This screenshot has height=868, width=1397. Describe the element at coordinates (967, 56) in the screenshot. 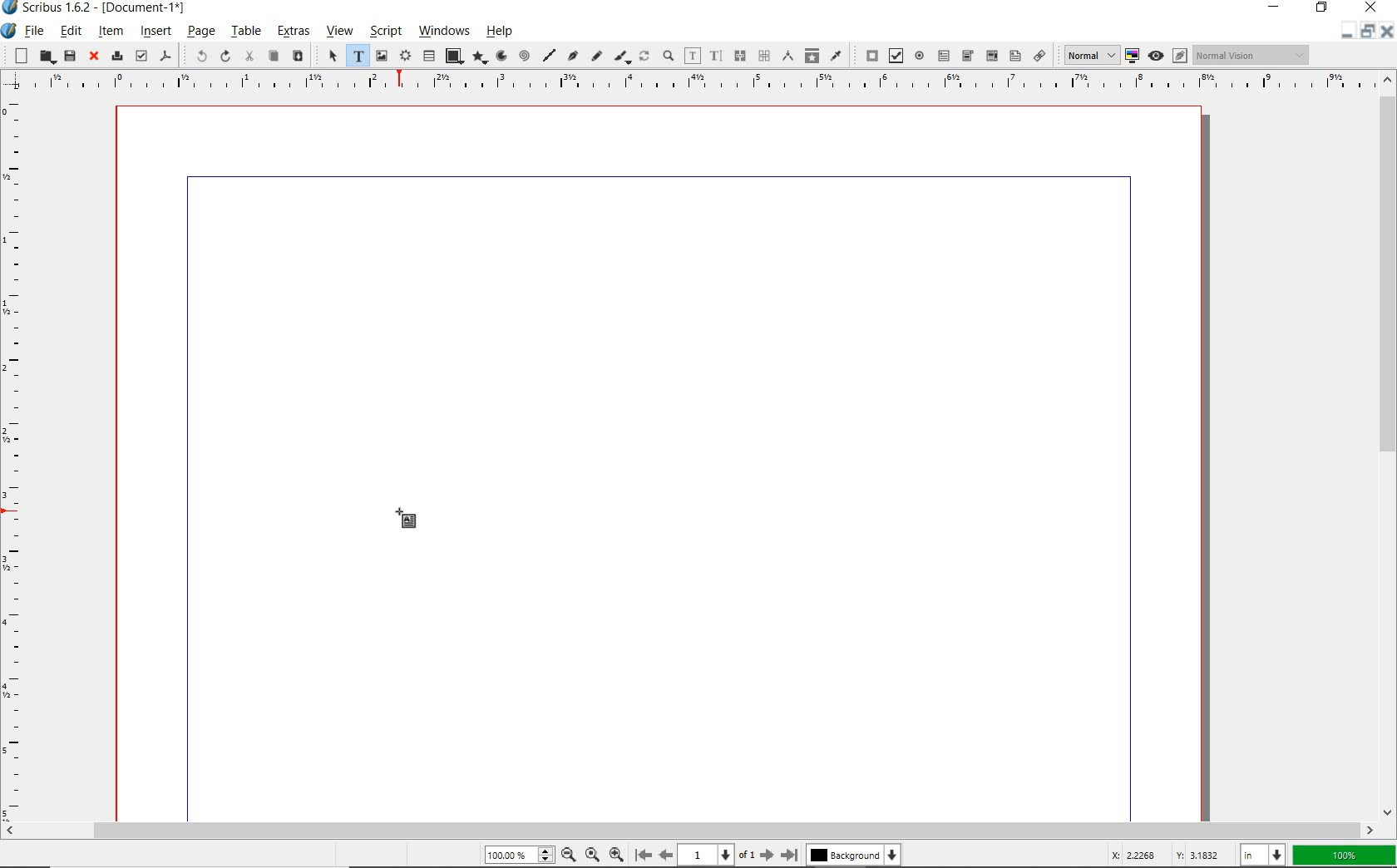

I see `pdf combo box` at that location.